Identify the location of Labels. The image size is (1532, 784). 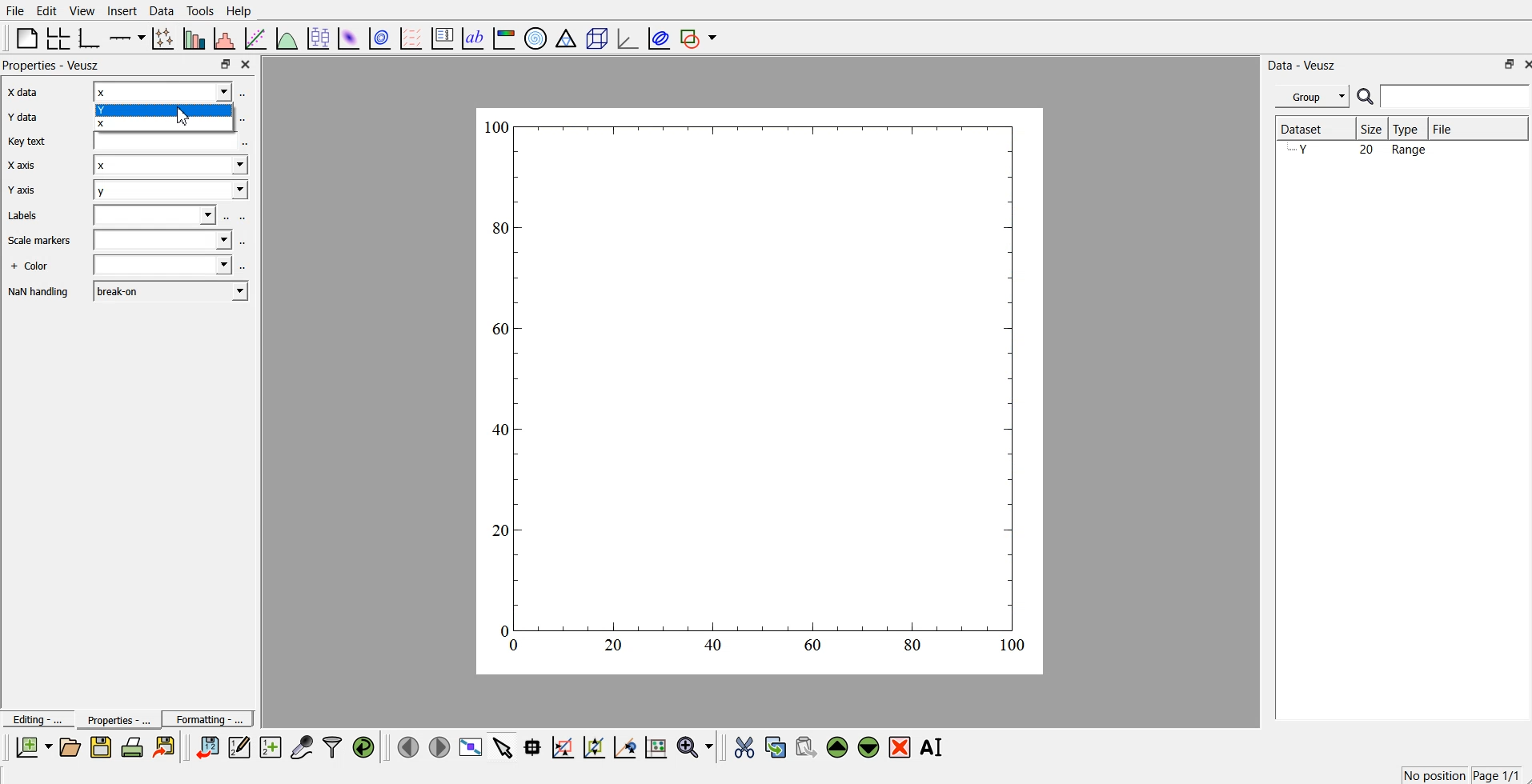
(23, 217).